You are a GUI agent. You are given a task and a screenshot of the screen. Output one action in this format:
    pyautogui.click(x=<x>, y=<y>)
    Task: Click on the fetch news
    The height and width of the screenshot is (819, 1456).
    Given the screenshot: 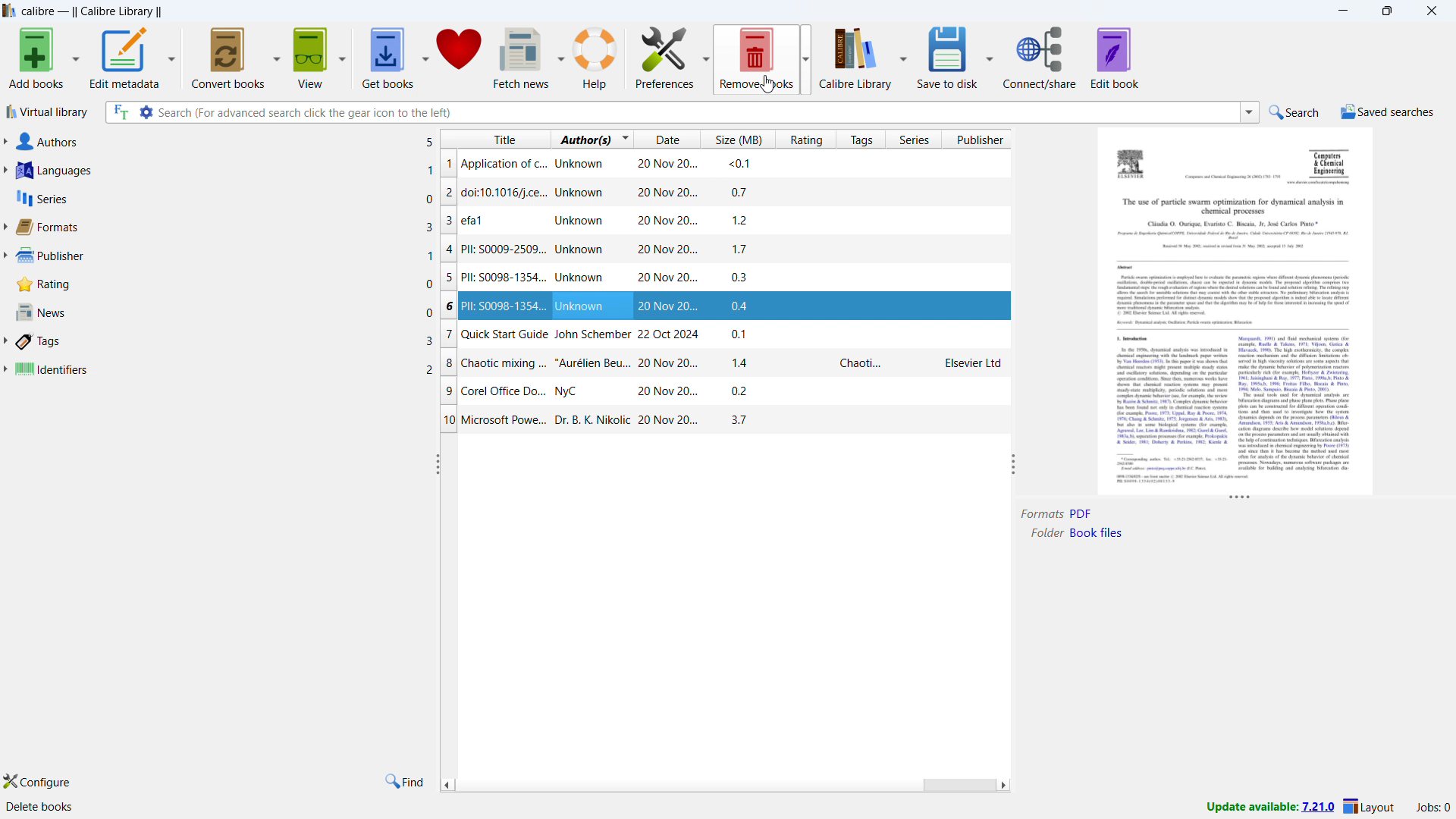 What is the action you would take?
    pyautogui.click(x=522, y=57)
    